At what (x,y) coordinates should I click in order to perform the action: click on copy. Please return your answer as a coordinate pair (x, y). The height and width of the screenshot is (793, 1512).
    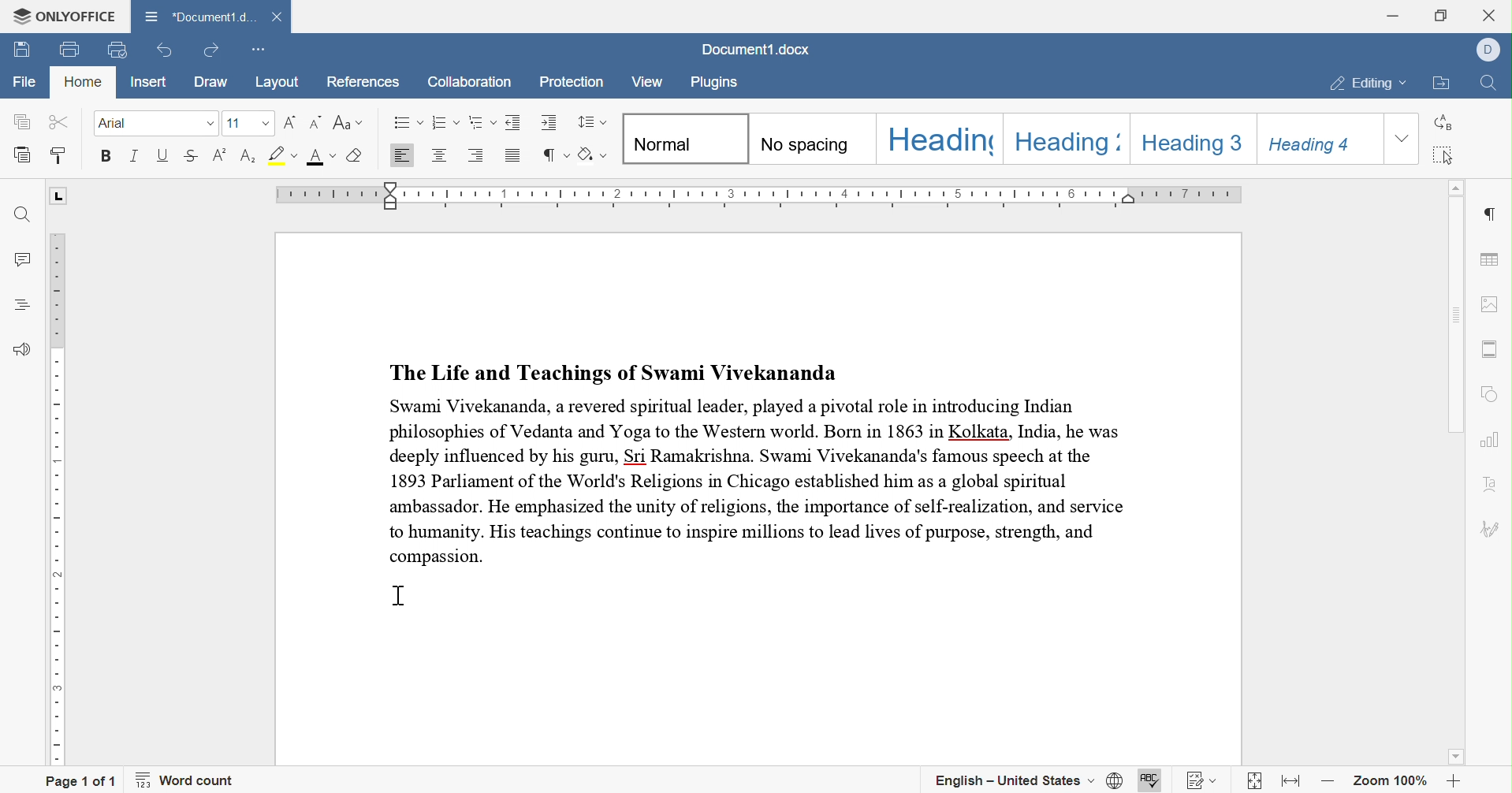
    Looking at the image, I should click on (21, 121).